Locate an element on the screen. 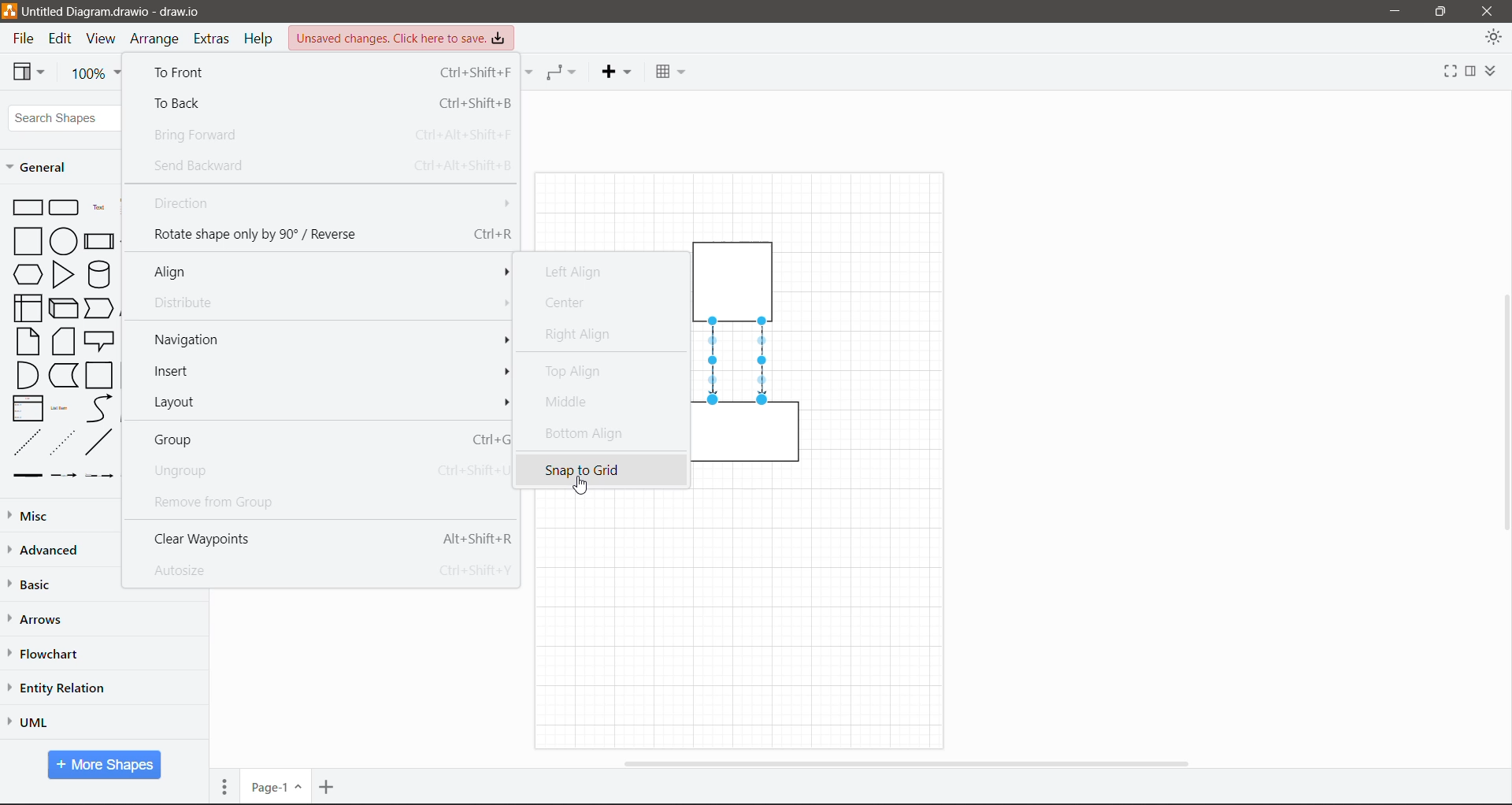 The image size is (1512, 805). Insert is located at coordinates (616, 72).